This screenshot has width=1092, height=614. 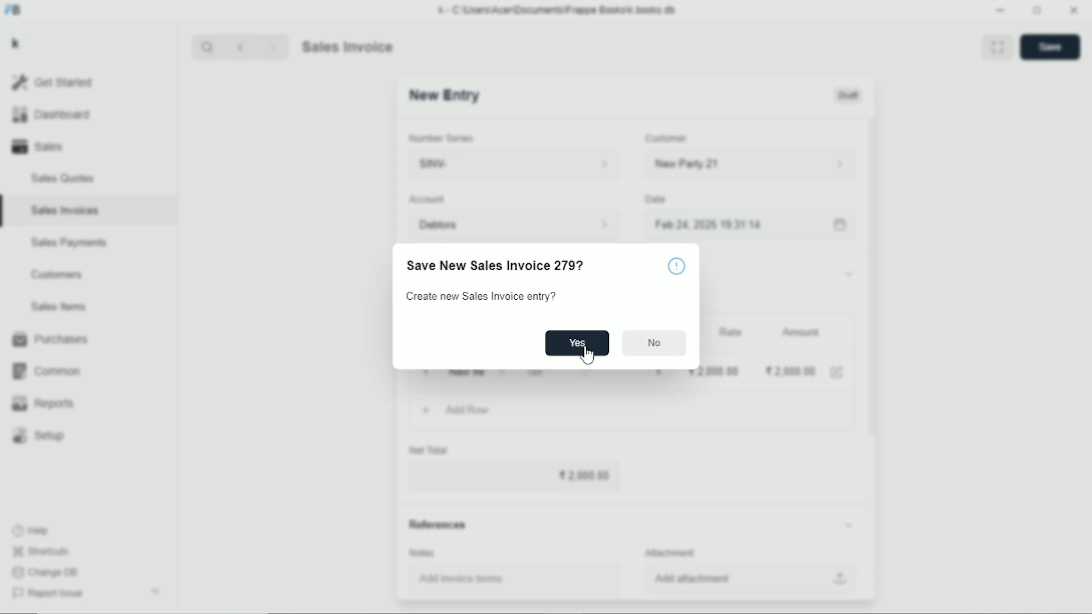 What do you see at coordinates (58, 274) in the screenshot?
I see `Customers` at bounding box center [58, 274].